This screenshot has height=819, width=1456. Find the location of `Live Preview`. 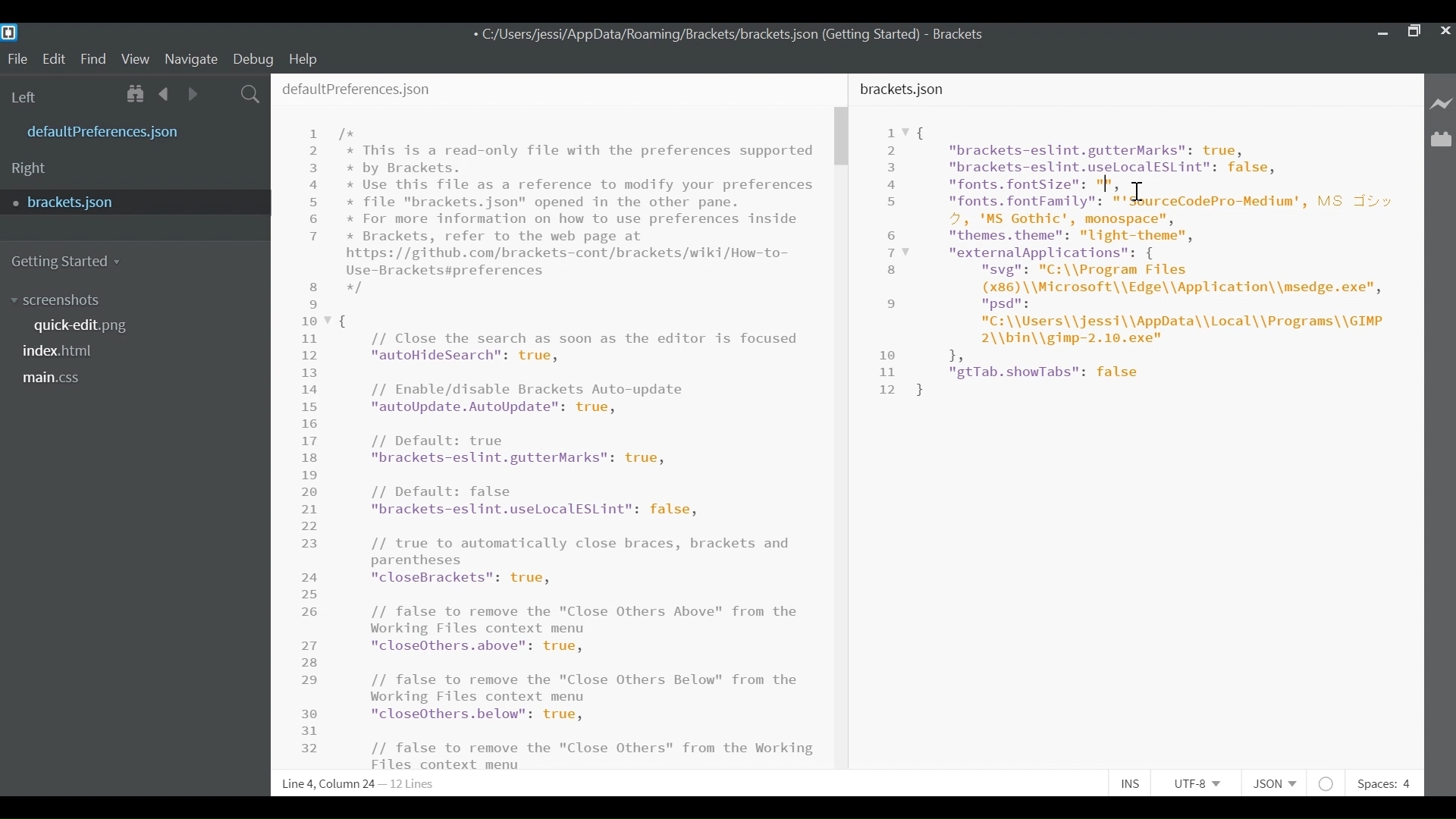

Live Preview is located at coordinates (1442, 101).